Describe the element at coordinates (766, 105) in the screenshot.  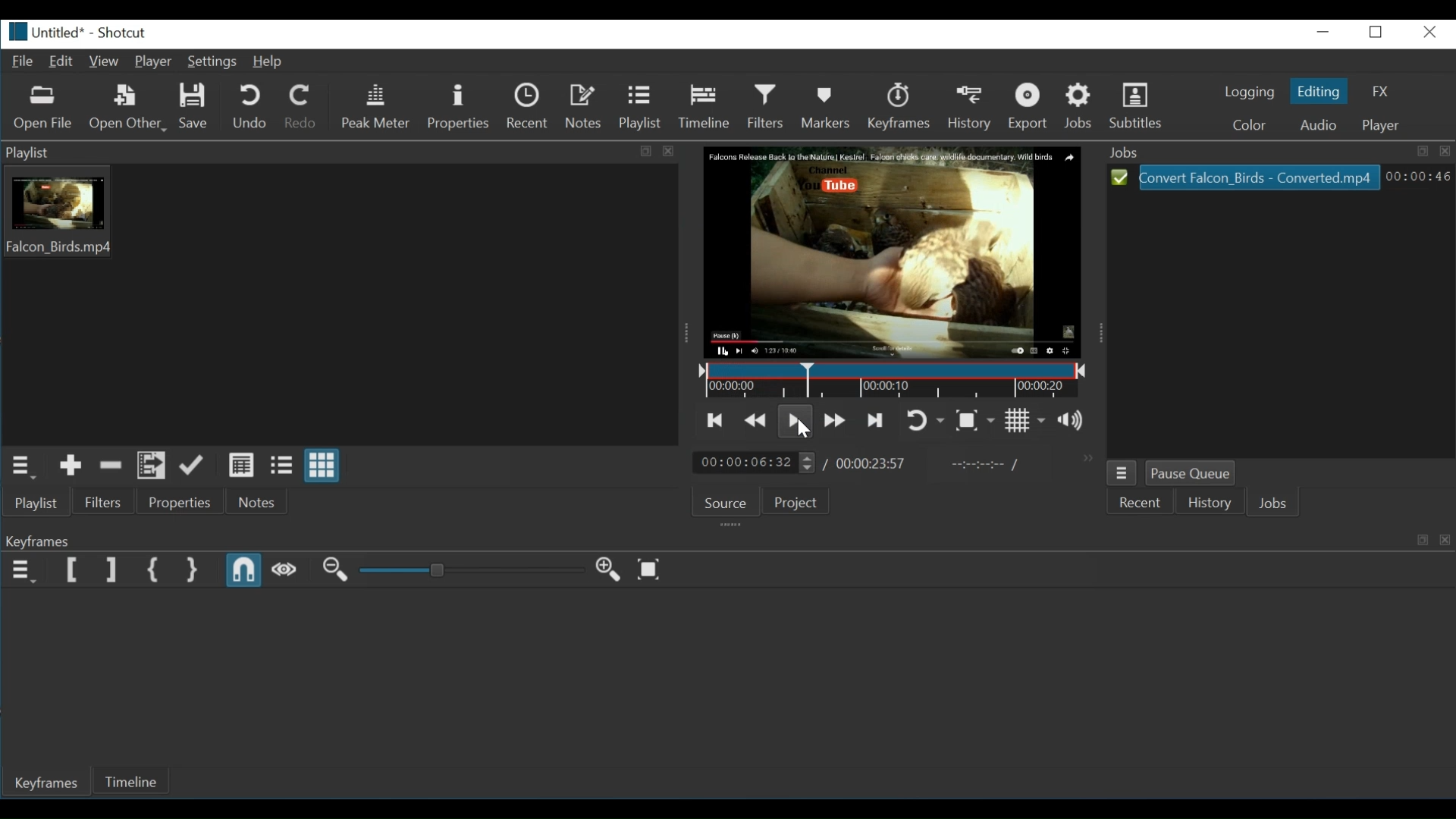
I see `Filter` at that location.